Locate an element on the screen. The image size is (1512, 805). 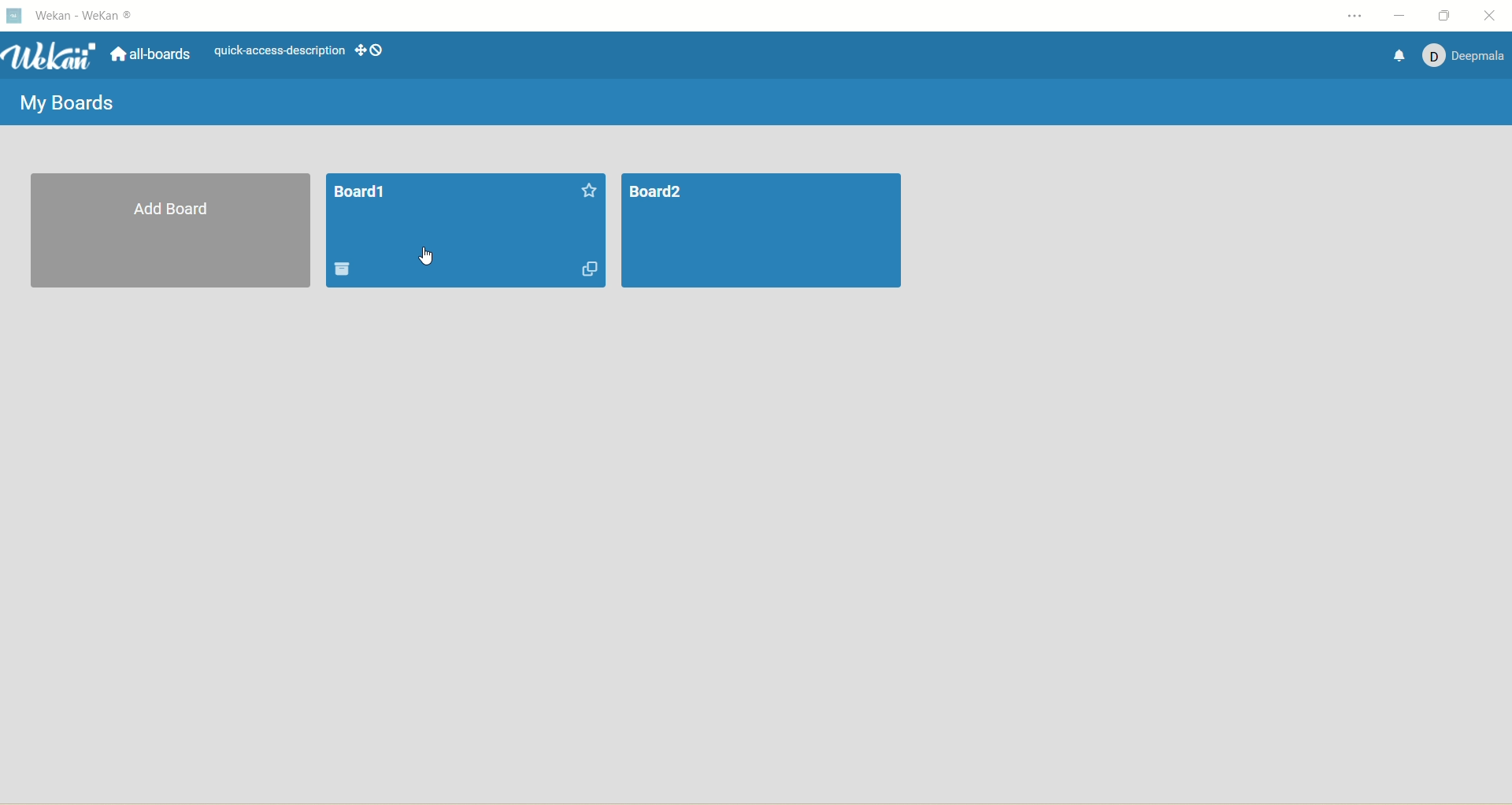
account is located at coordinates (1466, 58).